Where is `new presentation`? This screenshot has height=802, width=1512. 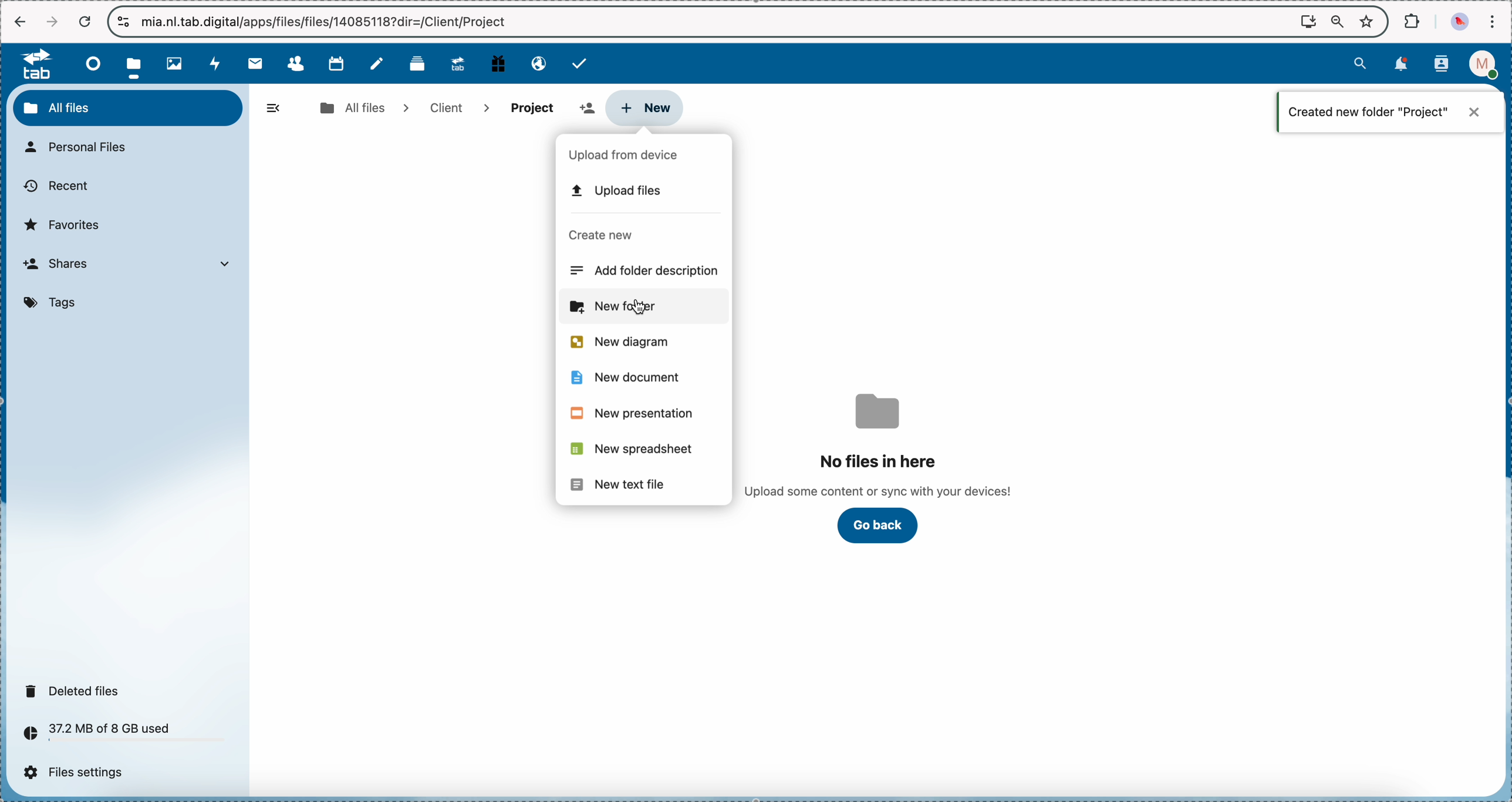
new presentation is located at coordinates (630, 412).